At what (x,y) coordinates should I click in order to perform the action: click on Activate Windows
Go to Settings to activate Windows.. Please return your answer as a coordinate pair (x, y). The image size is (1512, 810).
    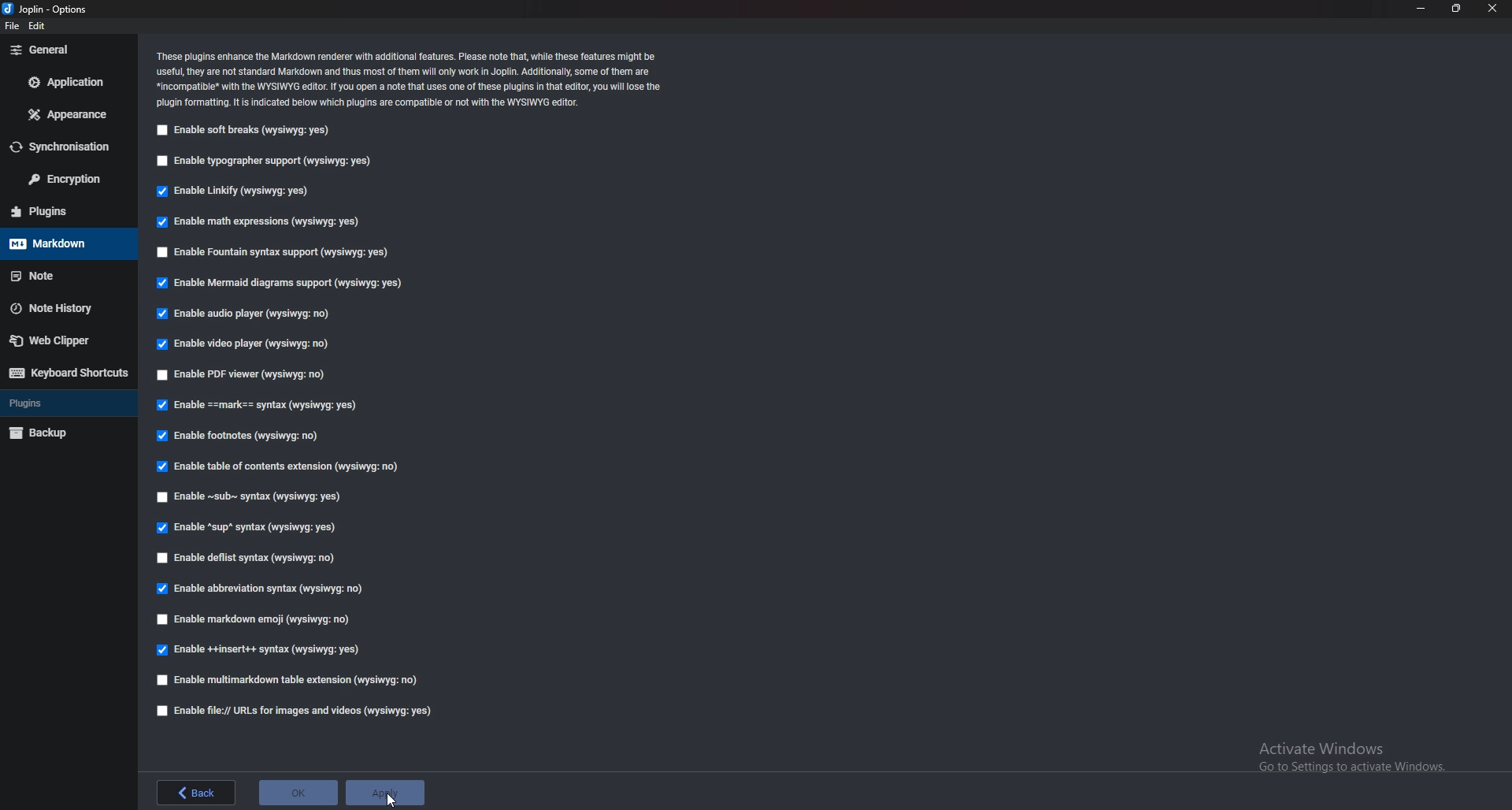
    Looking at the image, I should click on (1351, 758).